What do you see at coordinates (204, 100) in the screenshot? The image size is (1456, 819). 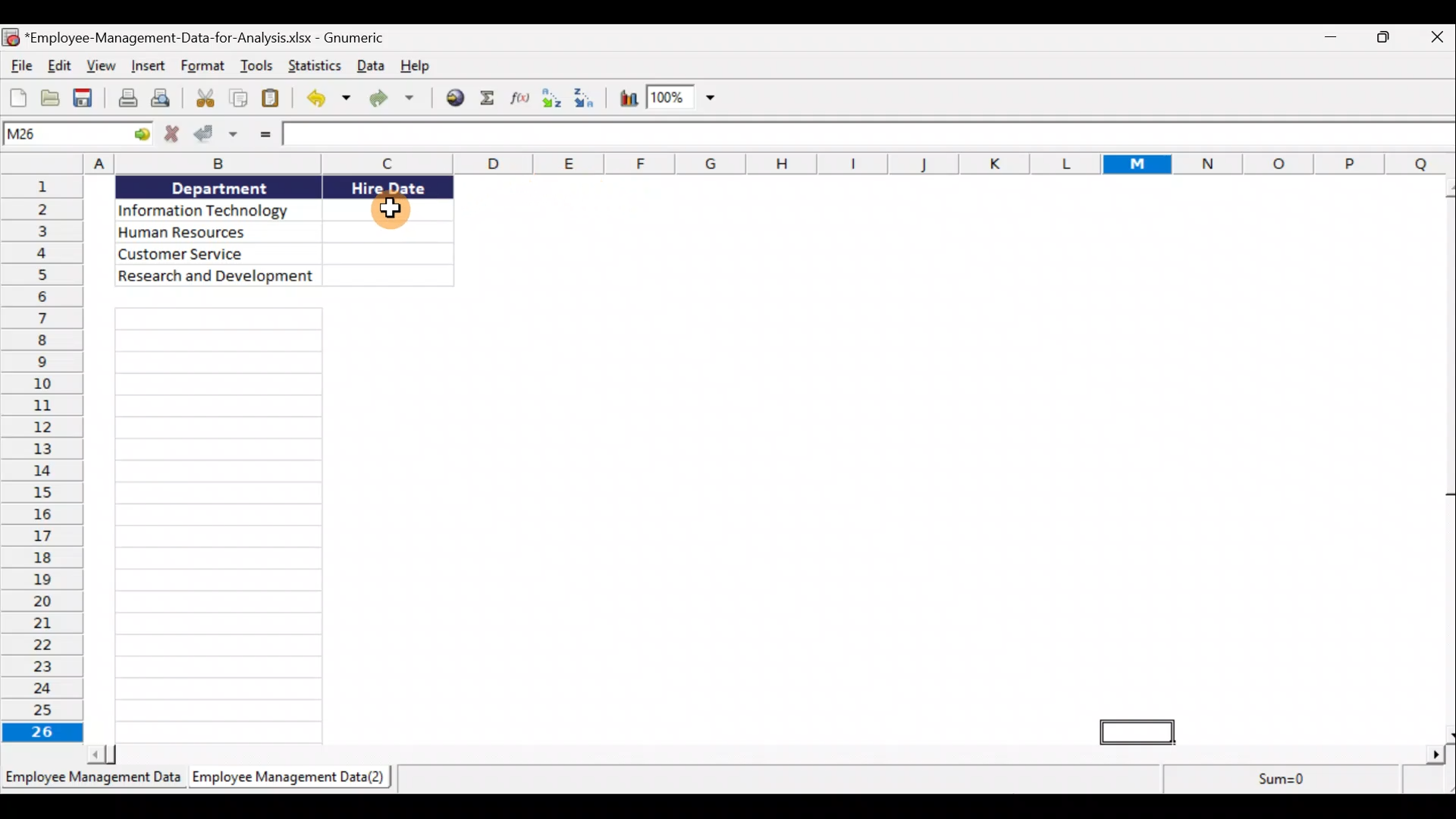 I see `Cut selection` at bounding box center [204, 100].